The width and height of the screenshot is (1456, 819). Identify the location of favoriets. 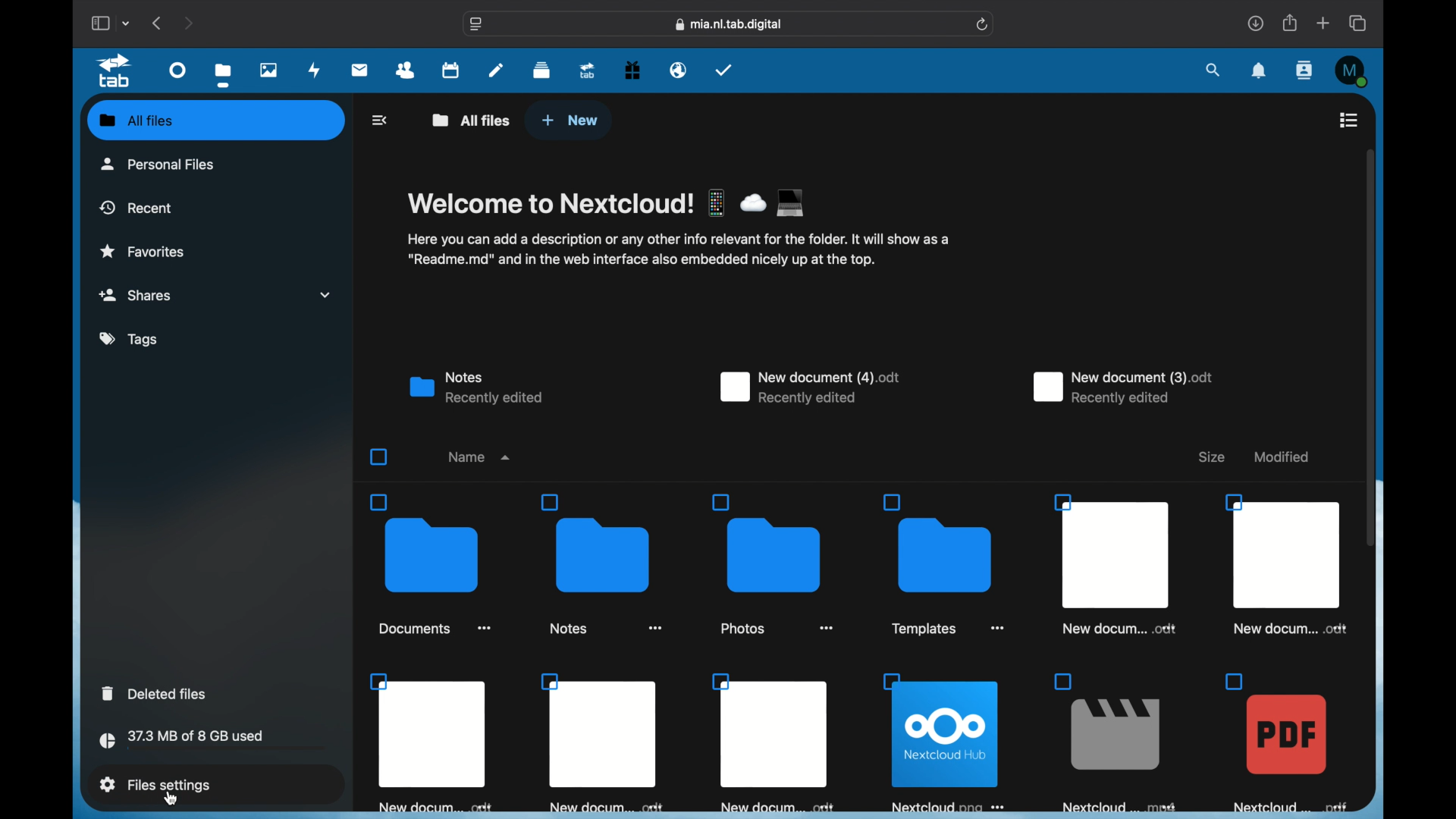
(144, 250).